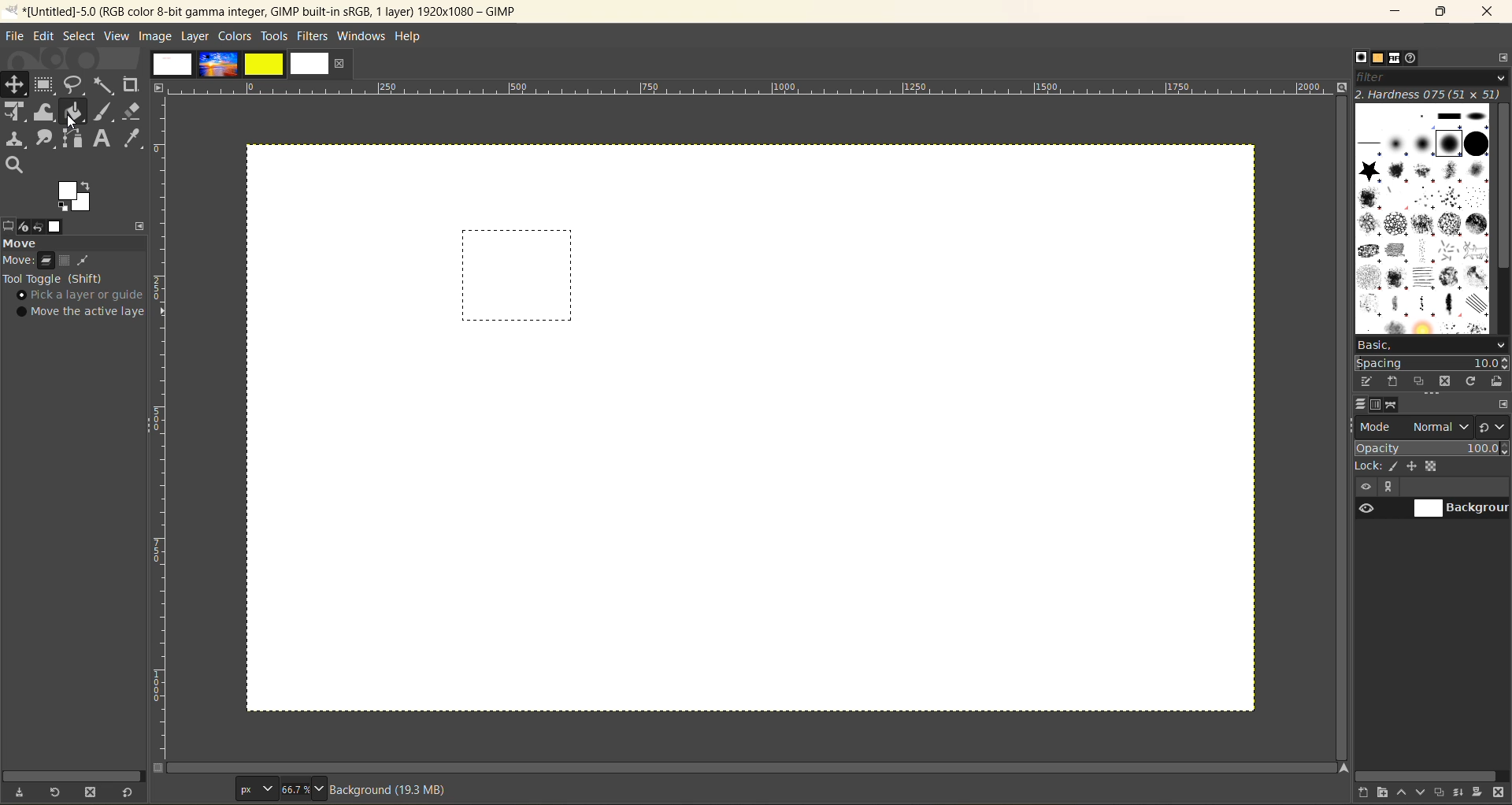  I want to click on close, so click(340, 65).